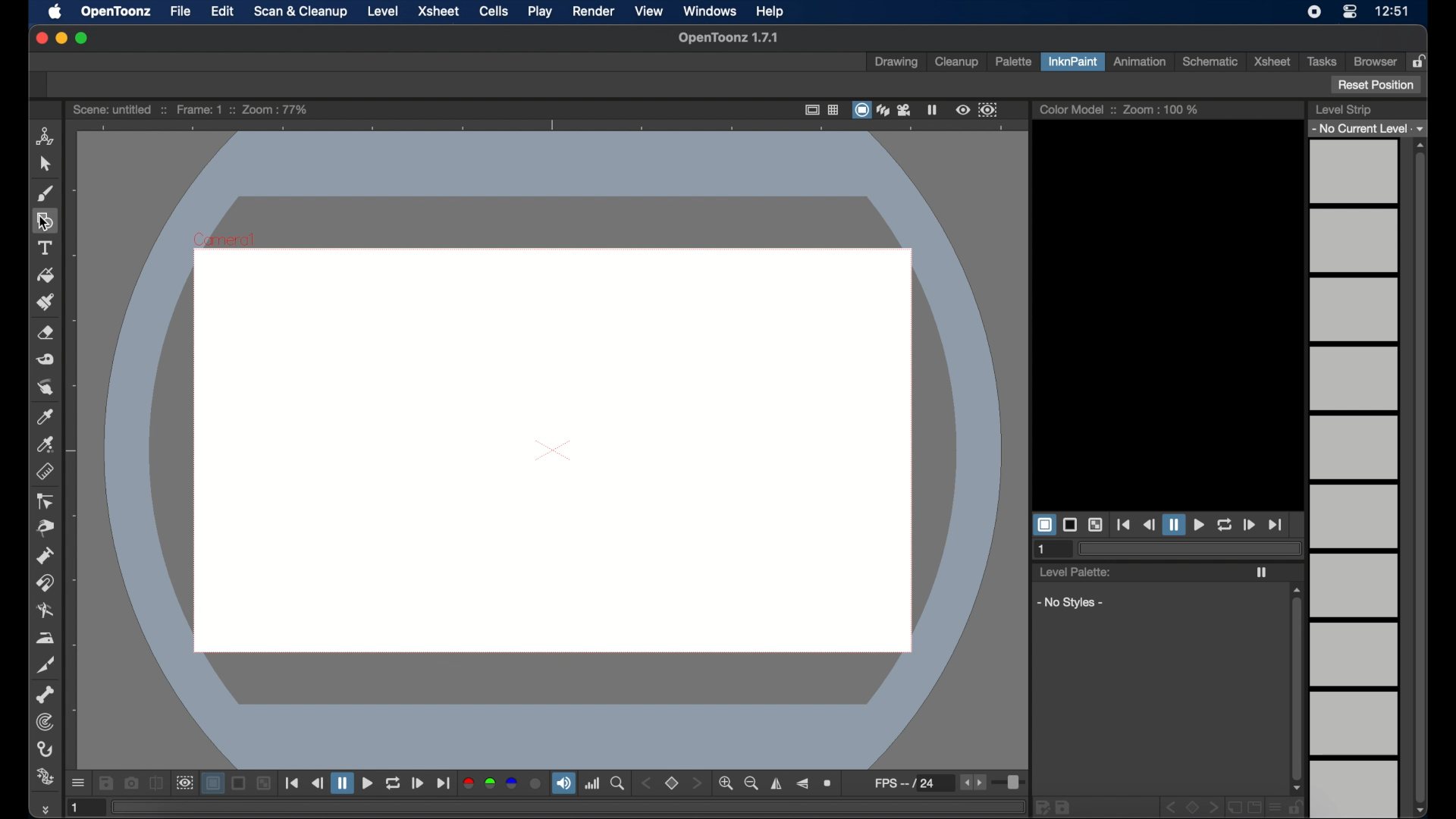 The width and height of the screenshot is (1456, 819). What do you see at coordinates (1148, 525) in the screenshot?
I see `rewind` at bounding box center [1148, 525].